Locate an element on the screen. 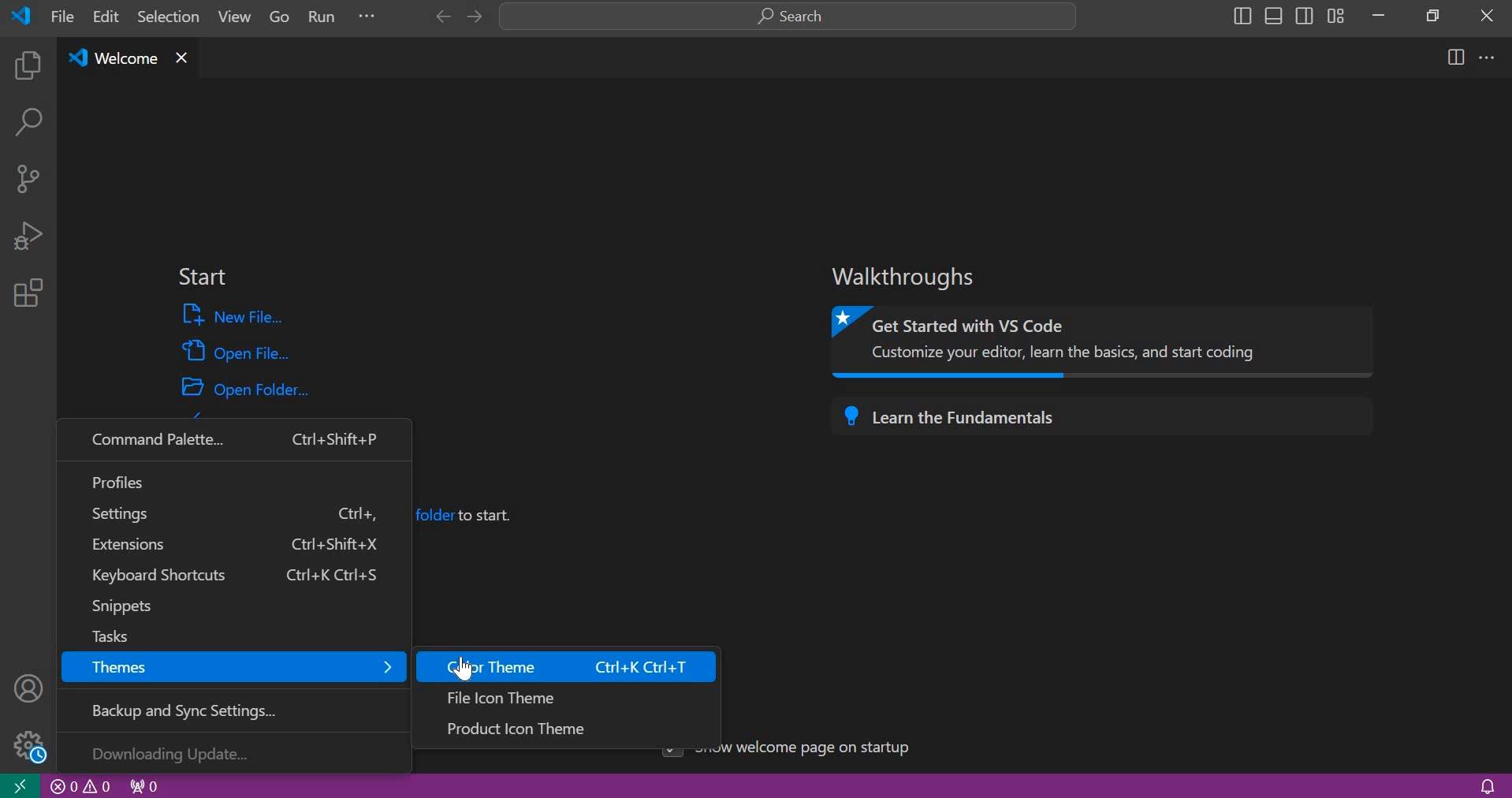  downloading update is located at coordinates (234, 751).